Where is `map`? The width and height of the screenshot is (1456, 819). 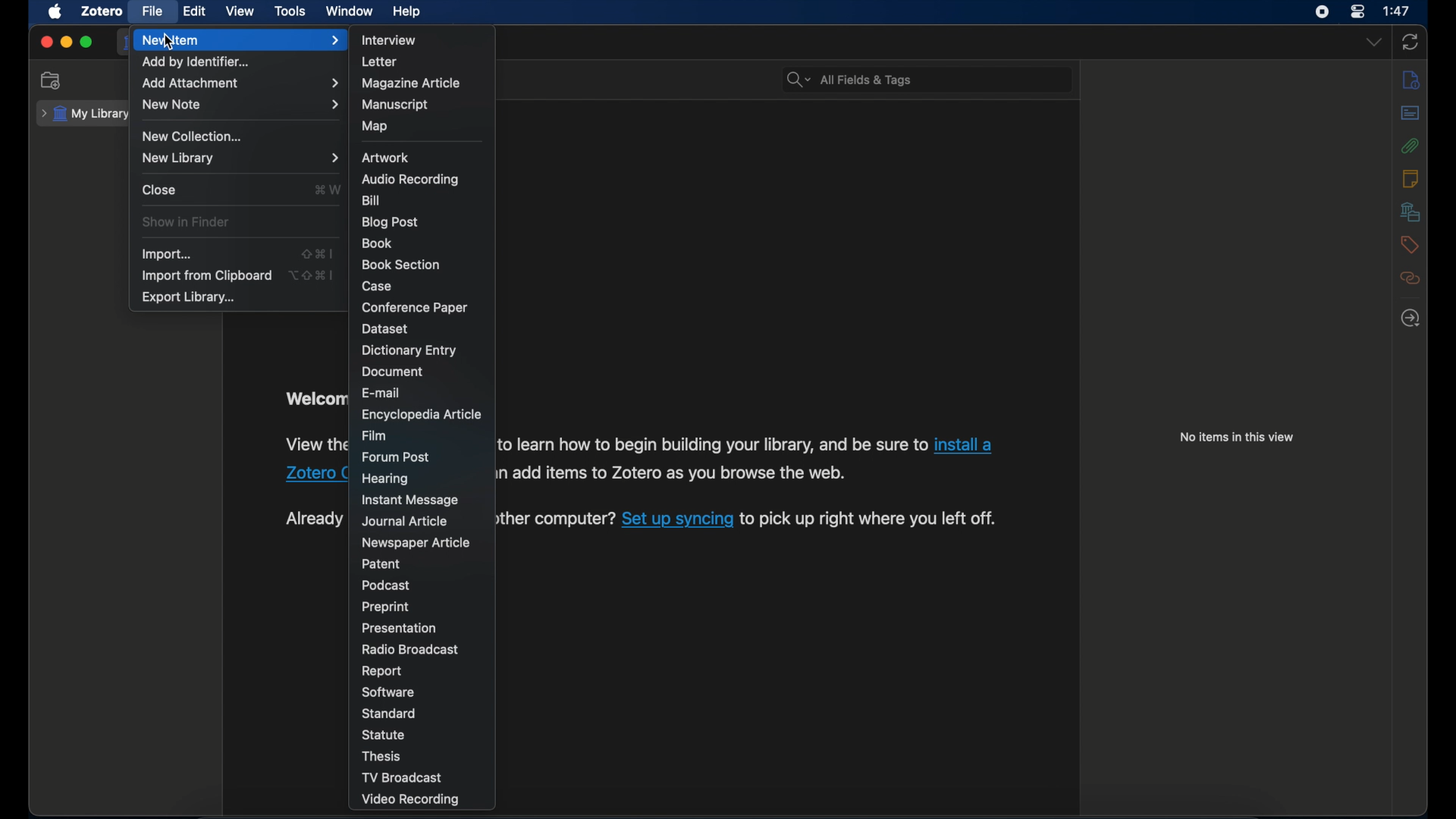 map is located at coordinates (376, 126).